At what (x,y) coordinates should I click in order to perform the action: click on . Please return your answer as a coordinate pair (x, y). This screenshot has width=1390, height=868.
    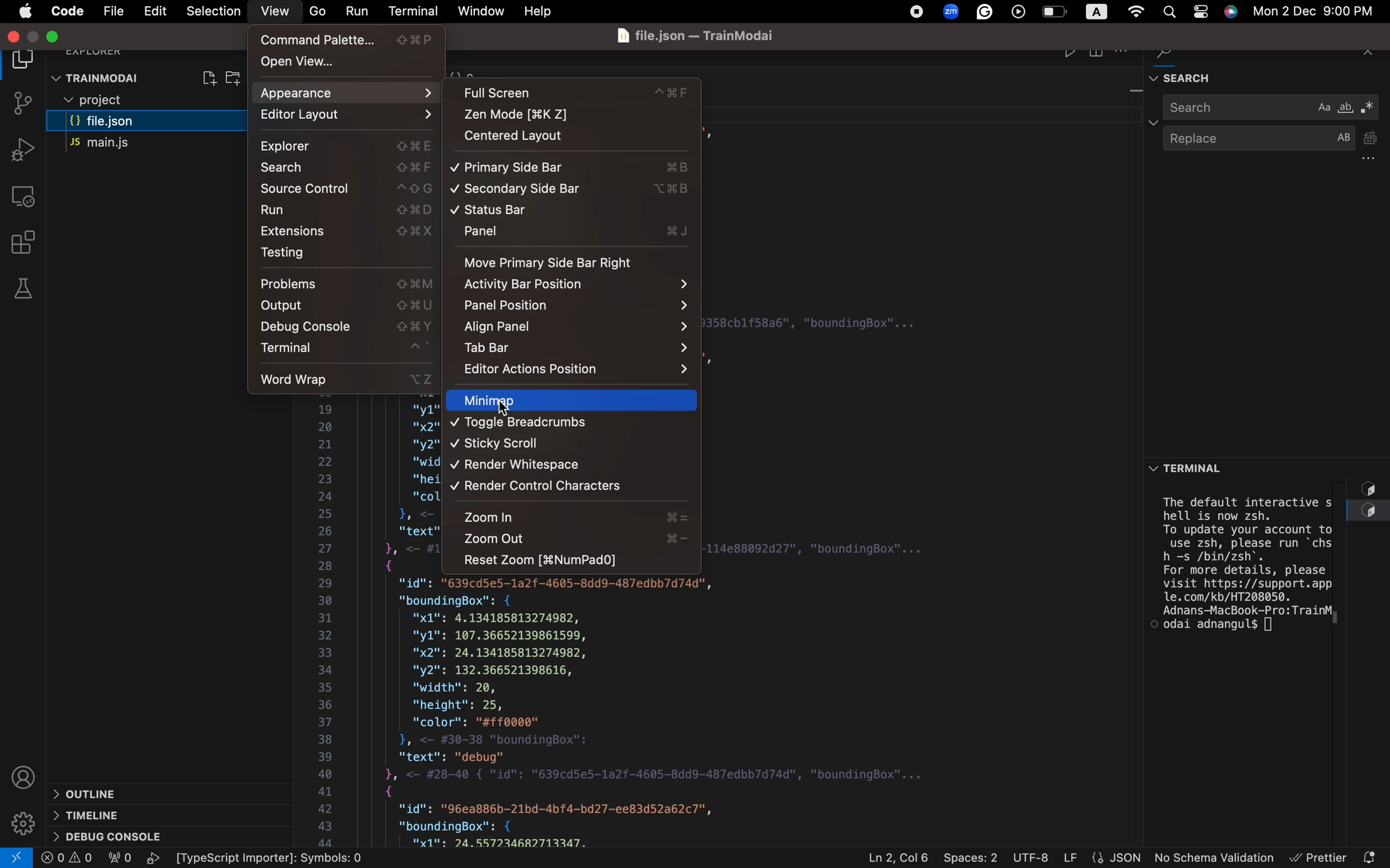
    Looking at the image, I should click on (573, 400).